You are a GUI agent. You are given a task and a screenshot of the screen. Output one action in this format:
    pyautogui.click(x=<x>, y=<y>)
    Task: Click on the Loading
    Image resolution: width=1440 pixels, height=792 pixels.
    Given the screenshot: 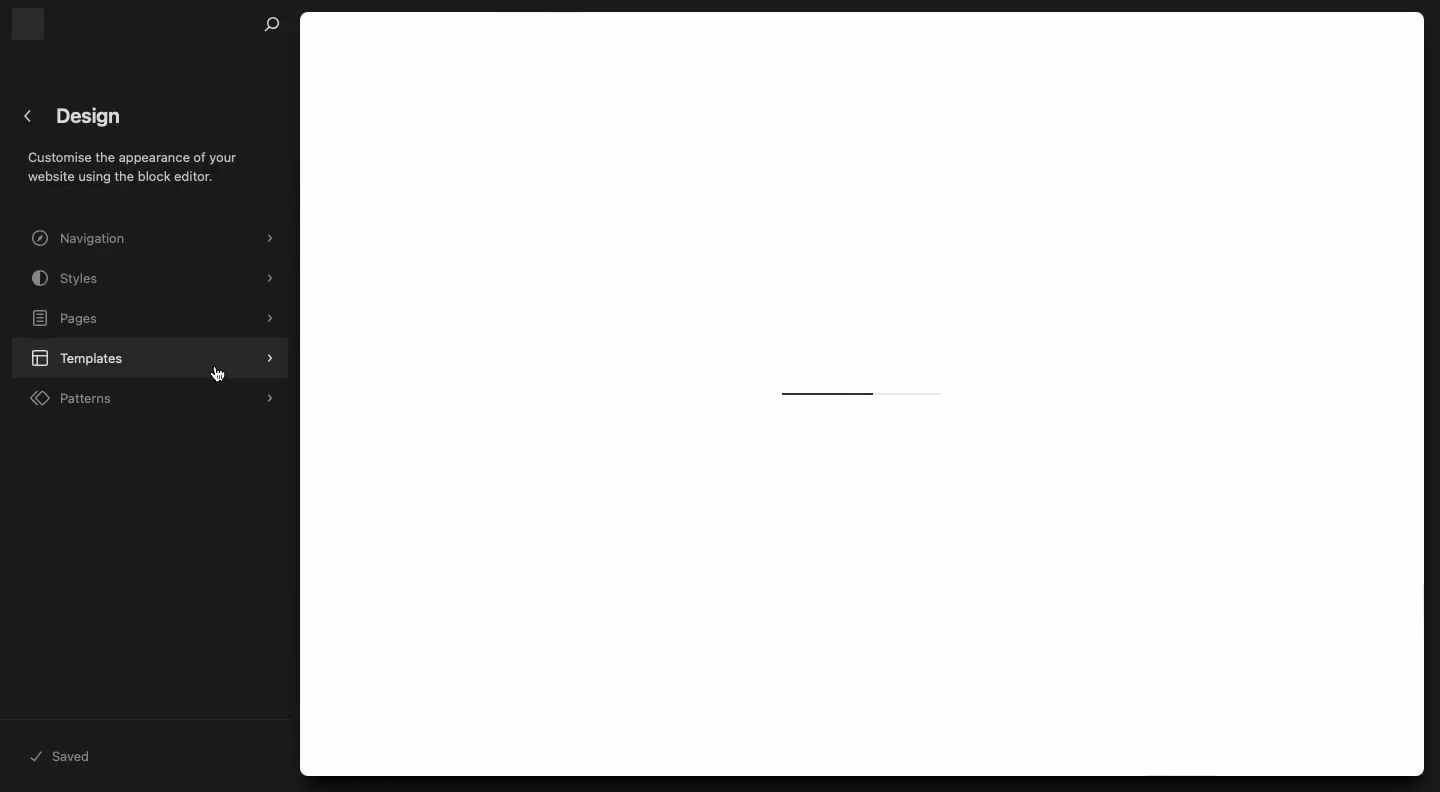 What is the action you would take?
    pyautogui.click(x=862, y=394)
    